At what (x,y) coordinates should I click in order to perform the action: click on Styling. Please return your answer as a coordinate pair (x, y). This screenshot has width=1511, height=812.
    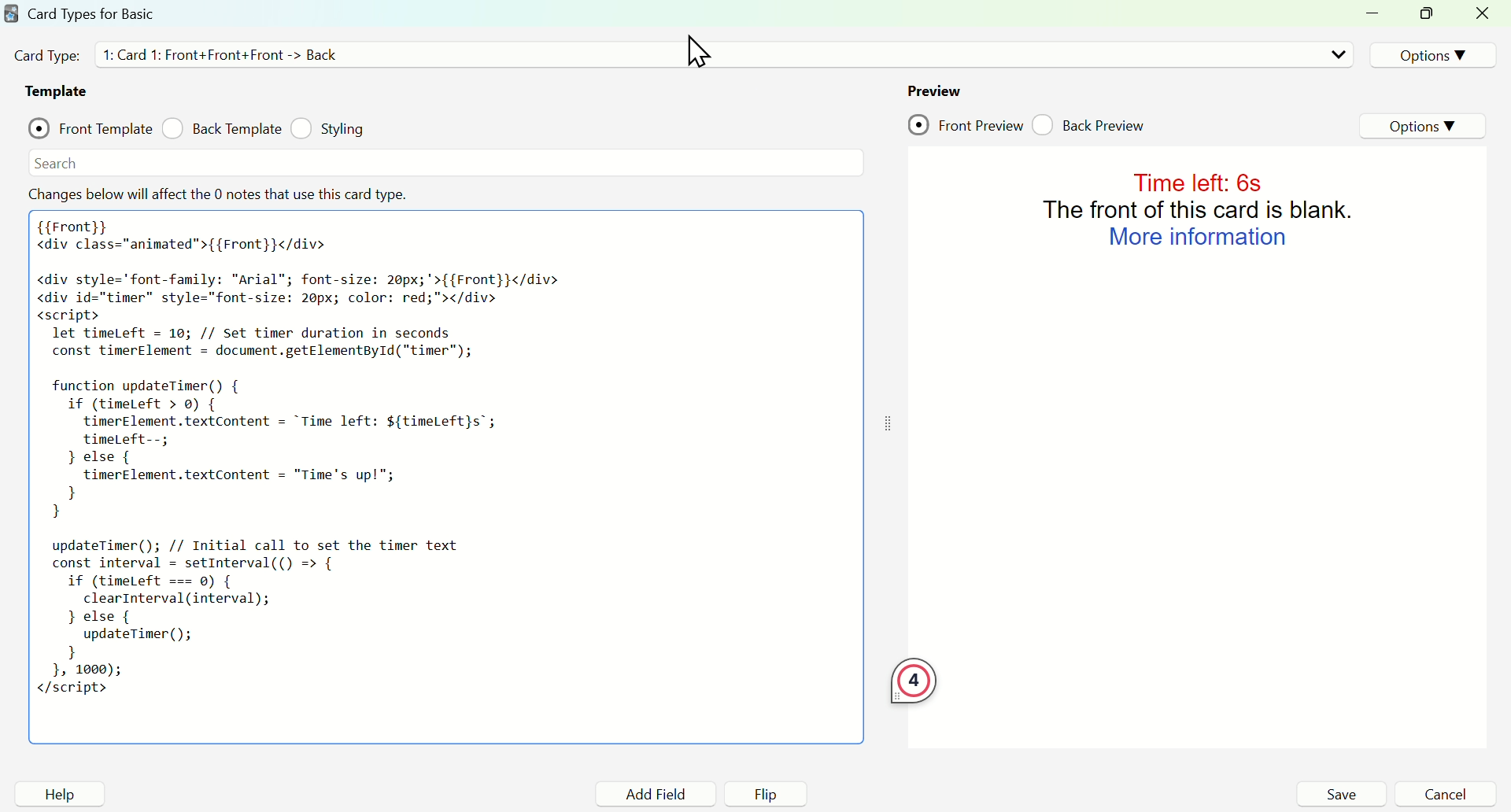
    Looking at the image, I should click on (331, 128).